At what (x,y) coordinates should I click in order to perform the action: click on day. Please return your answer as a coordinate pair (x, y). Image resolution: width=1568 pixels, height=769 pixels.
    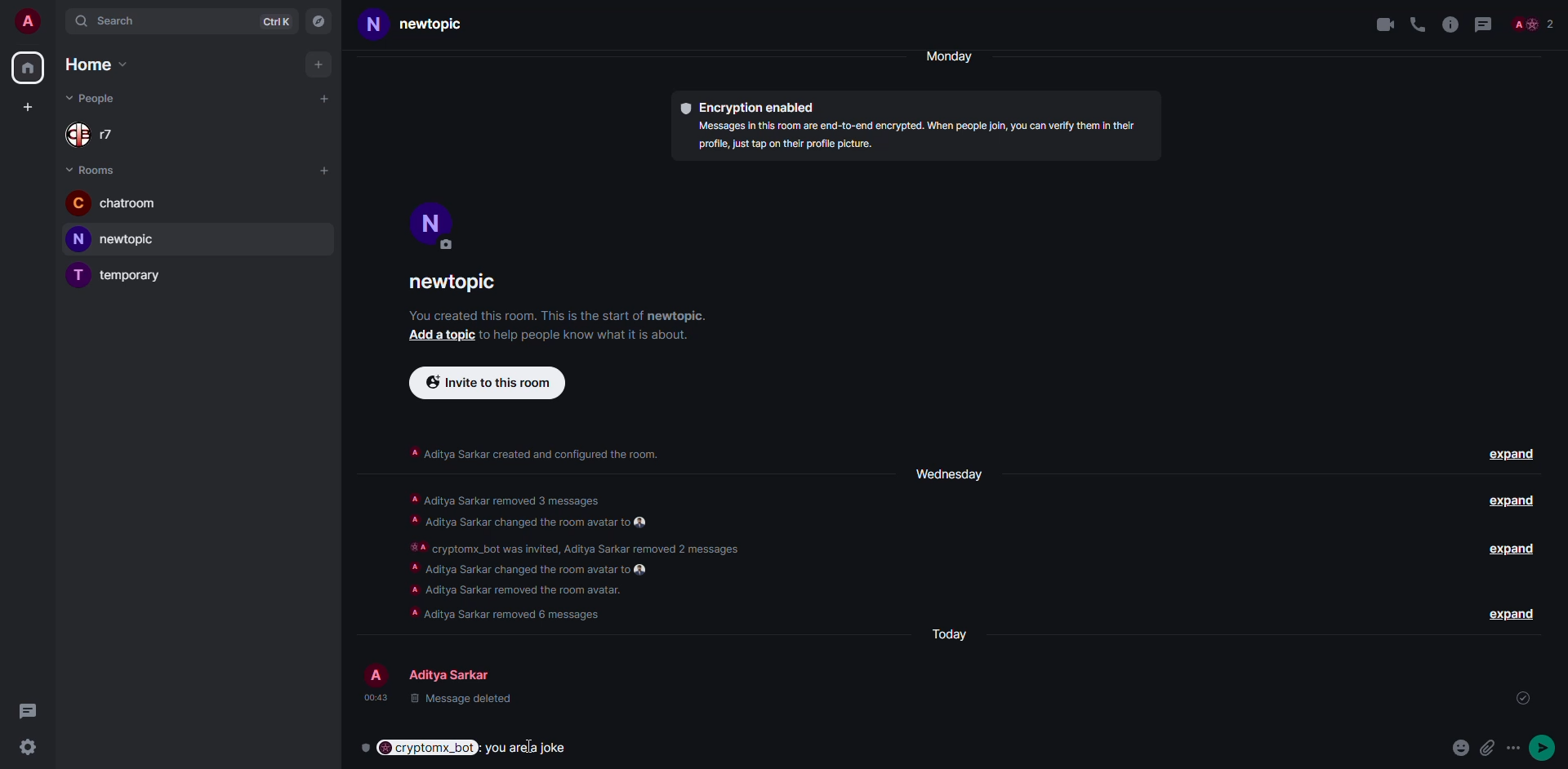
    Looking at the image, I should click on (956, 56).